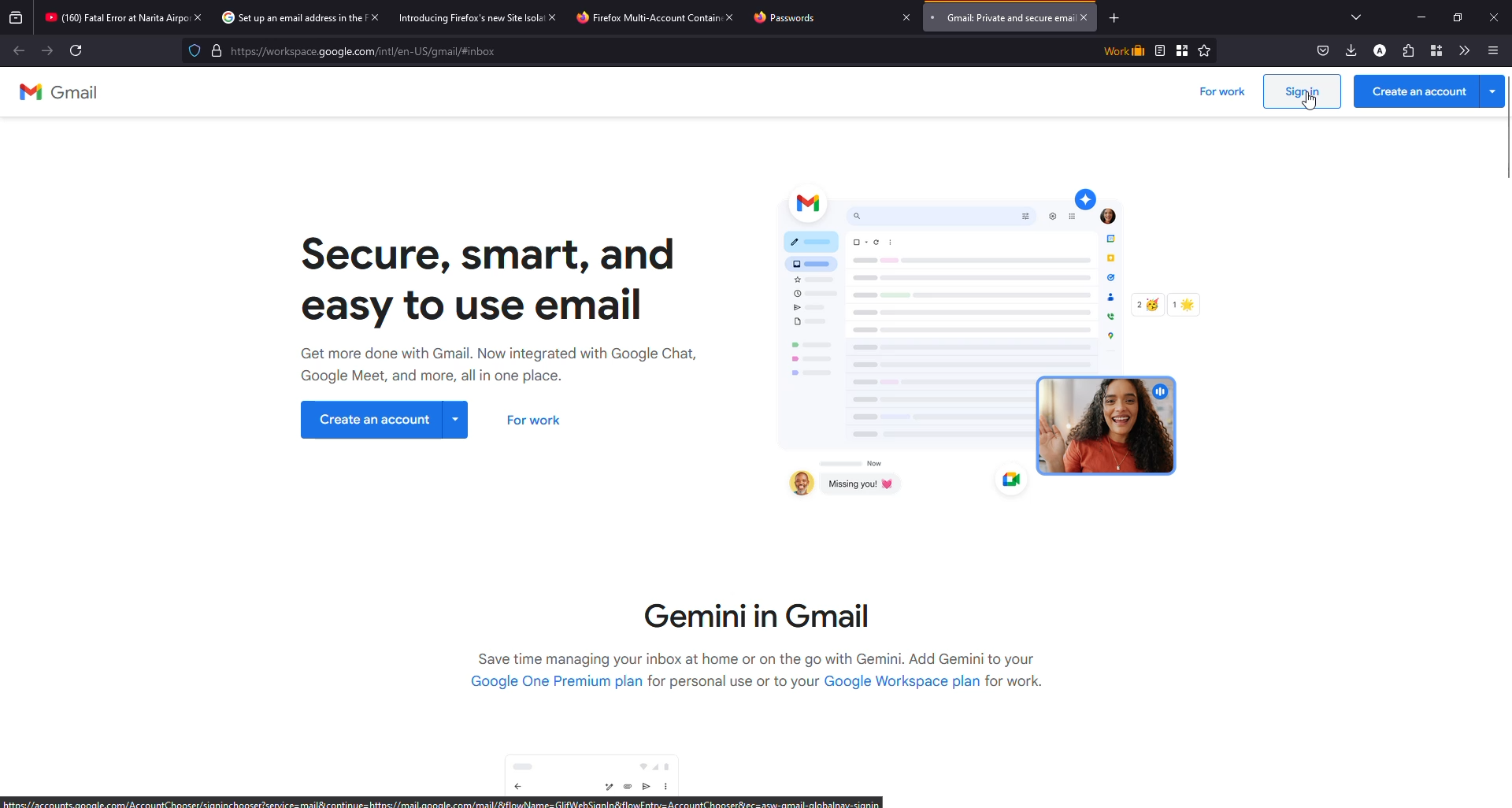 Image resolution: width=1512 pixels, height=808 pixels. I want to click on send, so click(646, 788).